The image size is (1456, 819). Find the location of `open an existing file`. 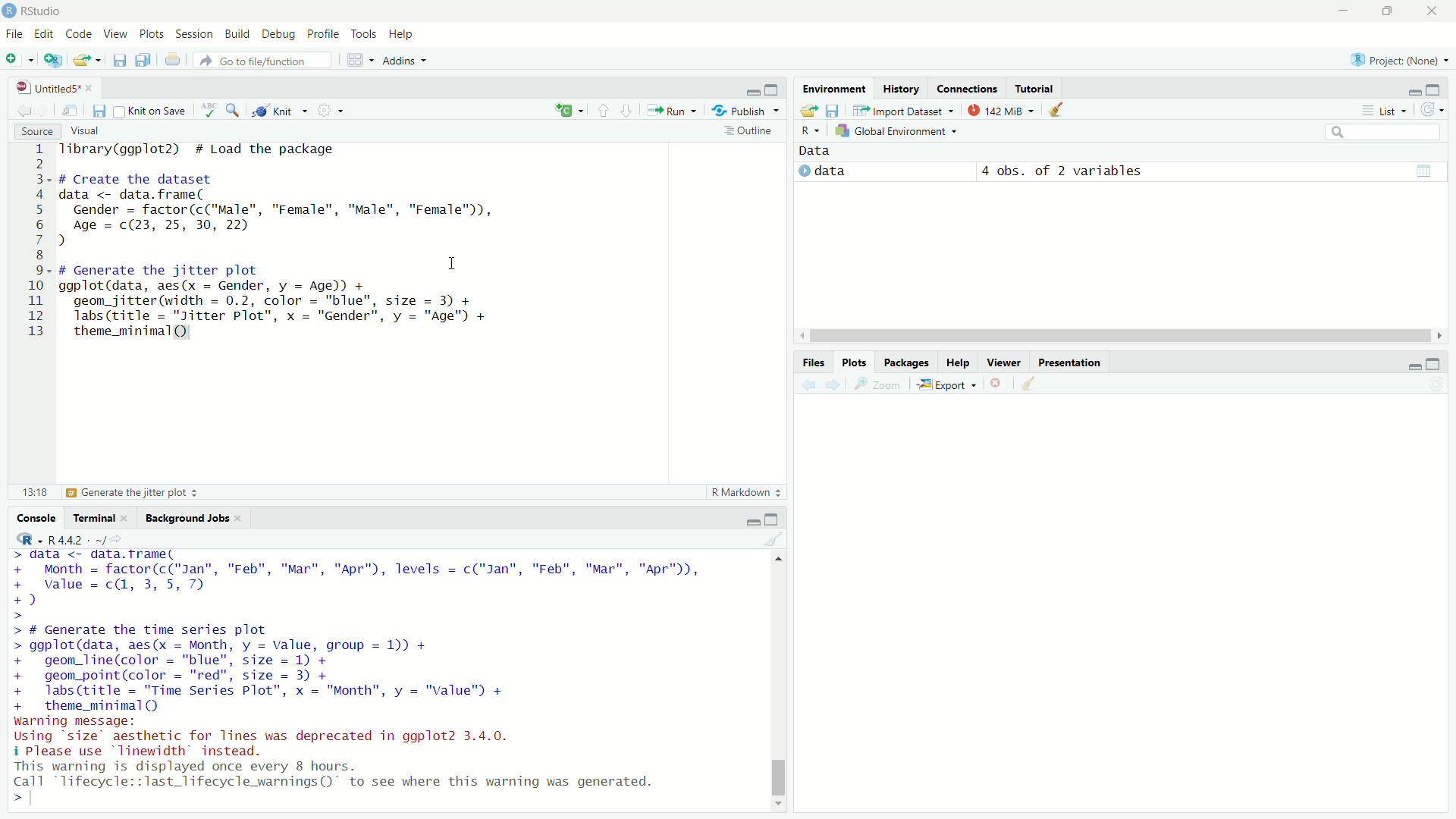

open an existing file is located at coordinates (88, 58).